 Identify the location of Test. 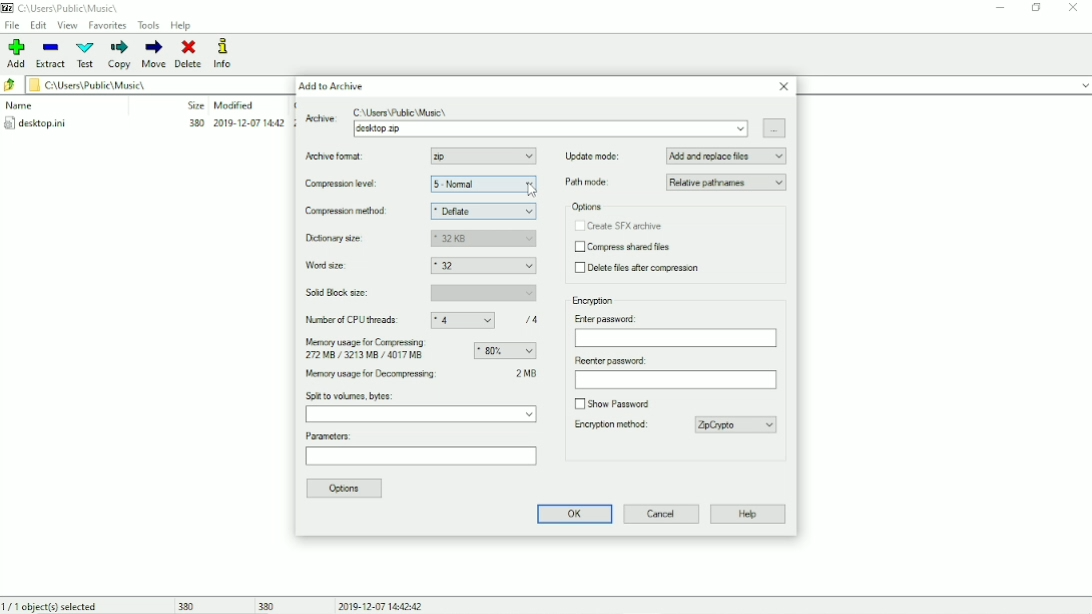
(86, 55).